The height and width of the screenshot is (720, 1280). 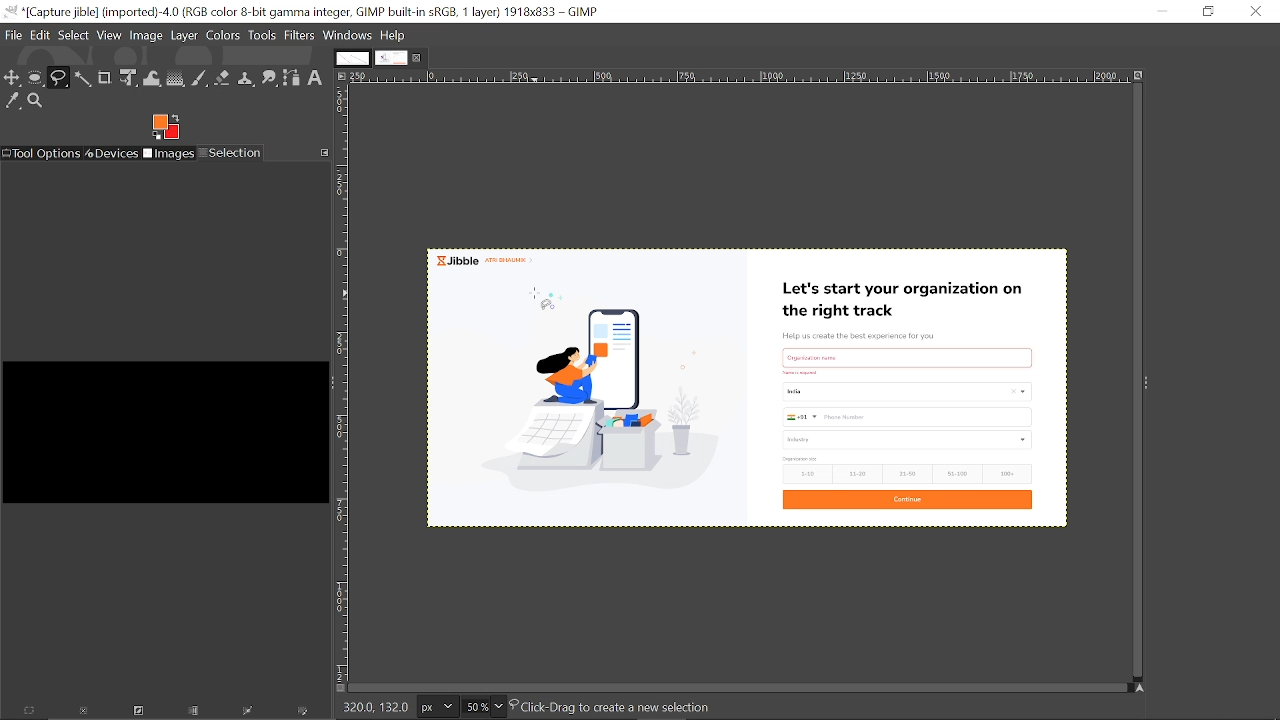 I want to click on Windows, so click(x=348, y=35).